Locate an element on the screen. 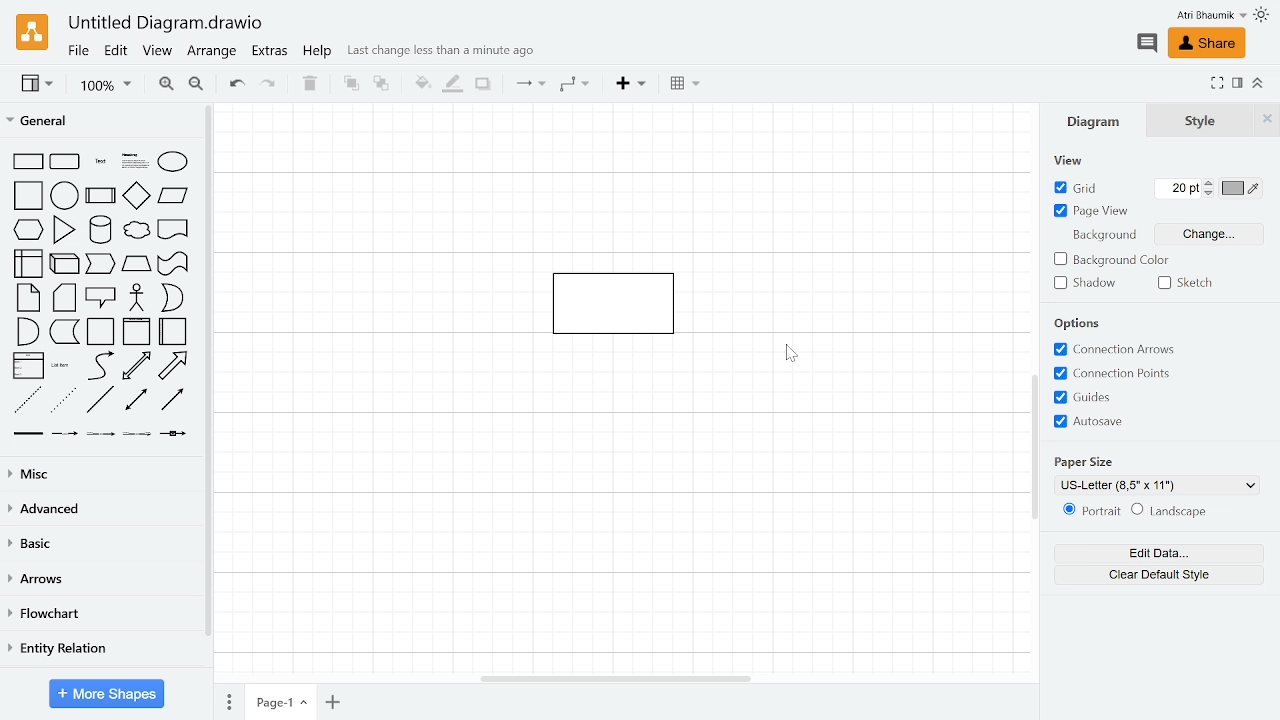 Image resolution: width=1280 pixels, height=720 pixels. Profile is located at coordinates (1194, 16).